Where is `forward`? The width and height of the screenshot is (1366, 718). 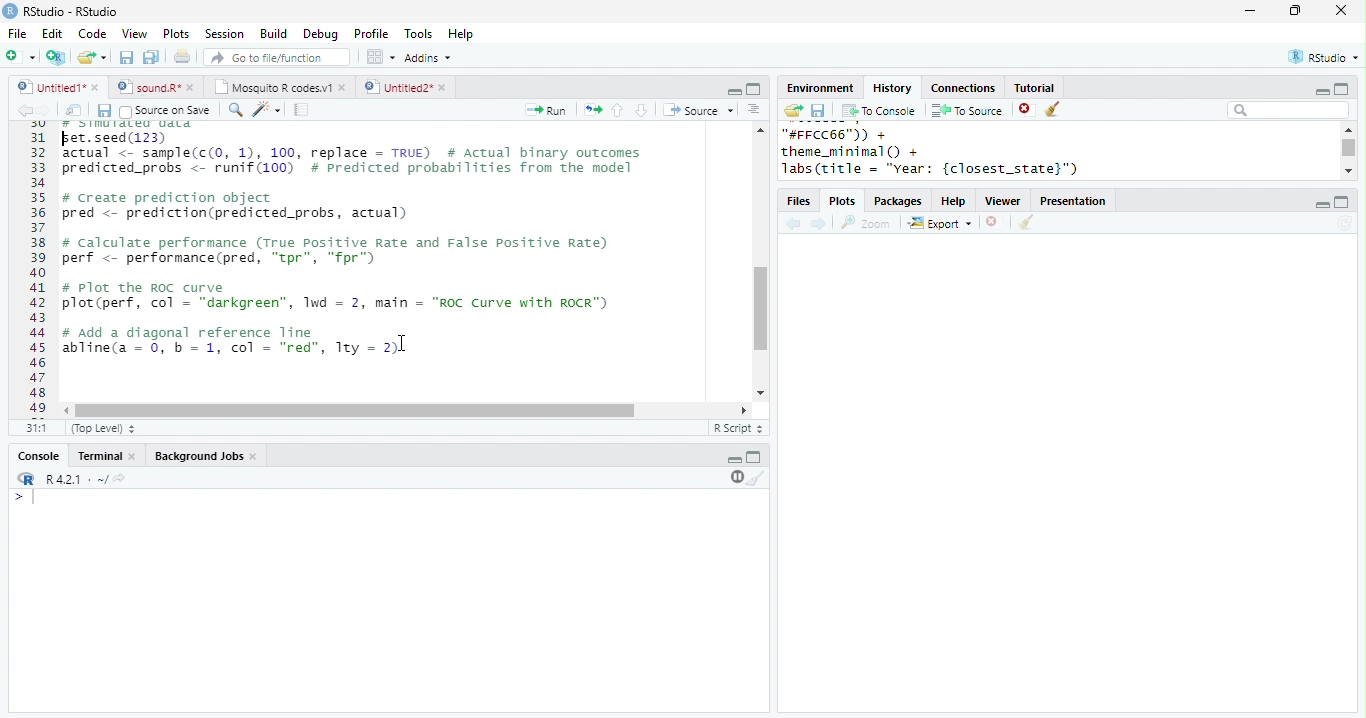 forward is located at coordinates (44, 110).